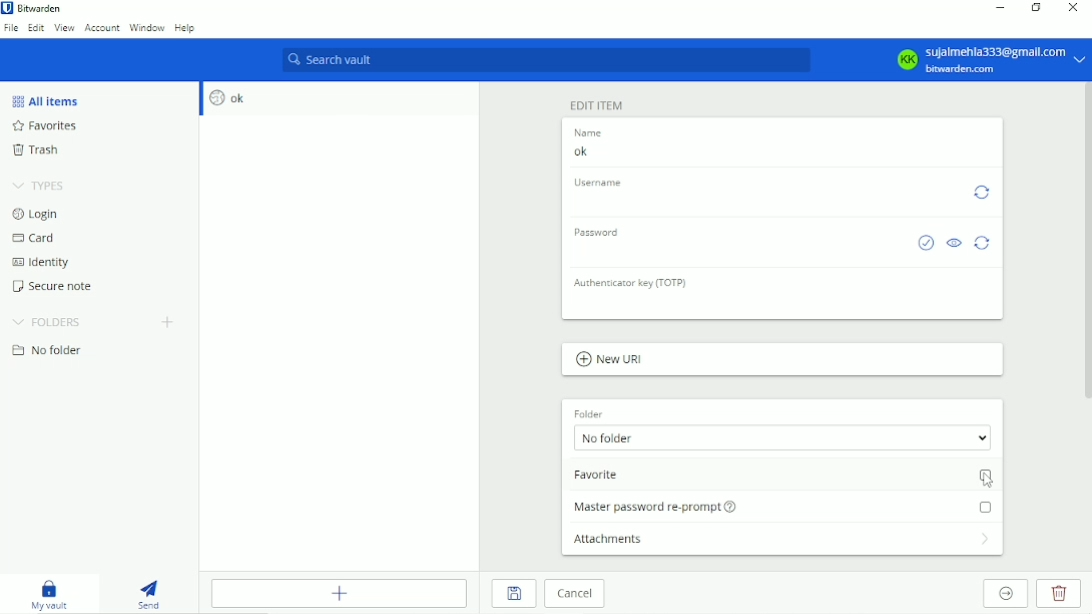 The image size is (1092, 614). What do you see at coordinates (954, 244) in the screenshot?
I see `Toggle visibility` at bounding box center [954, 244].